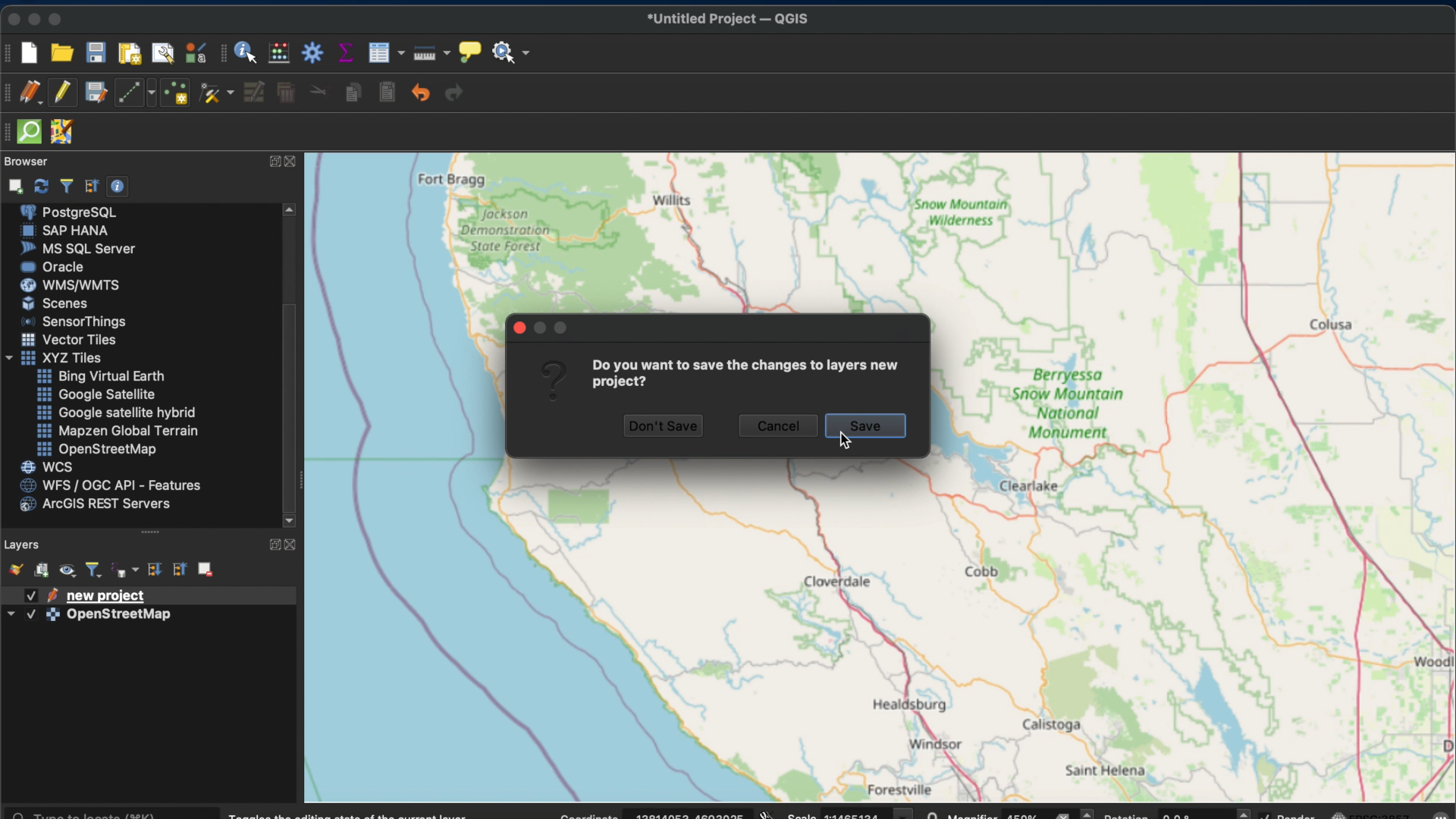 The image size is (1456, 819). Describe the element at coordinates (256, 94) in the screenshot. I see `modify attributes` at that location.